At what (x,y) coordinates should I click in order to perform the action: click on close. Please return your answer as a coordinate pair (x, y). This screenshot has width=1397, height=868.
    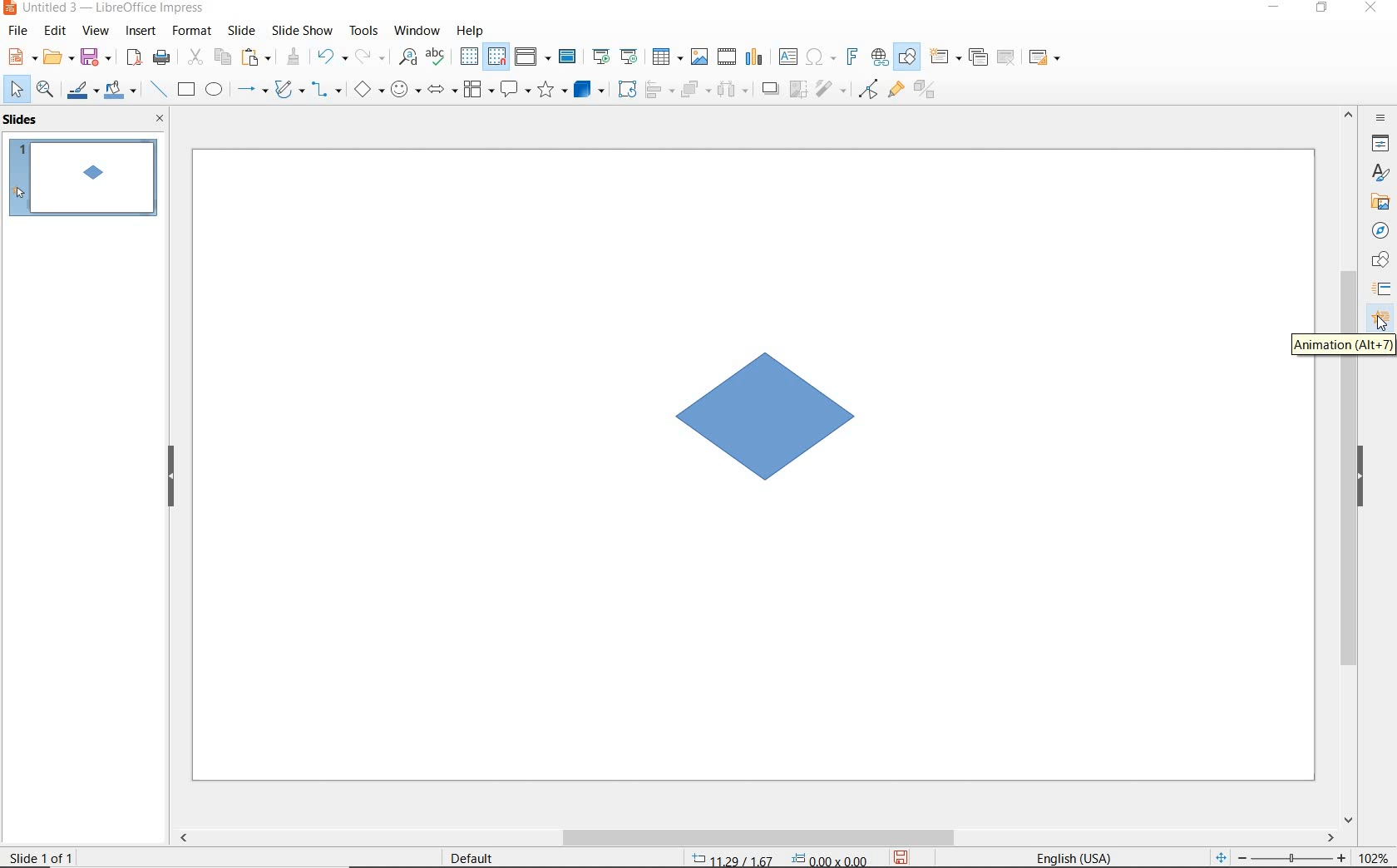
    Looking at the image, I should click on (1371, 8).